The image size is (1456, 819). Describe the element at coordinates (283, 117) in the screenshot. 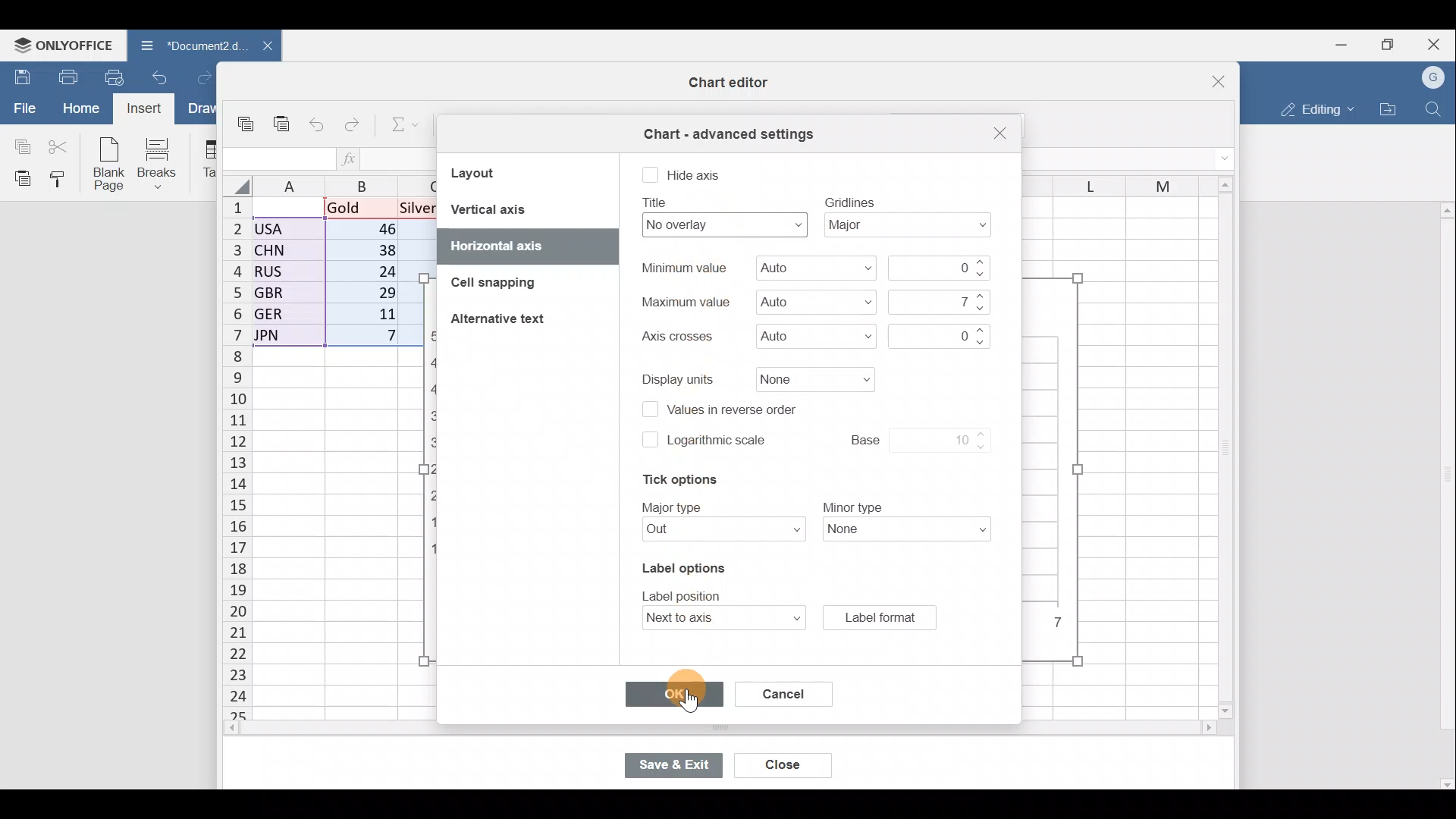

I see `Paste` at that location.